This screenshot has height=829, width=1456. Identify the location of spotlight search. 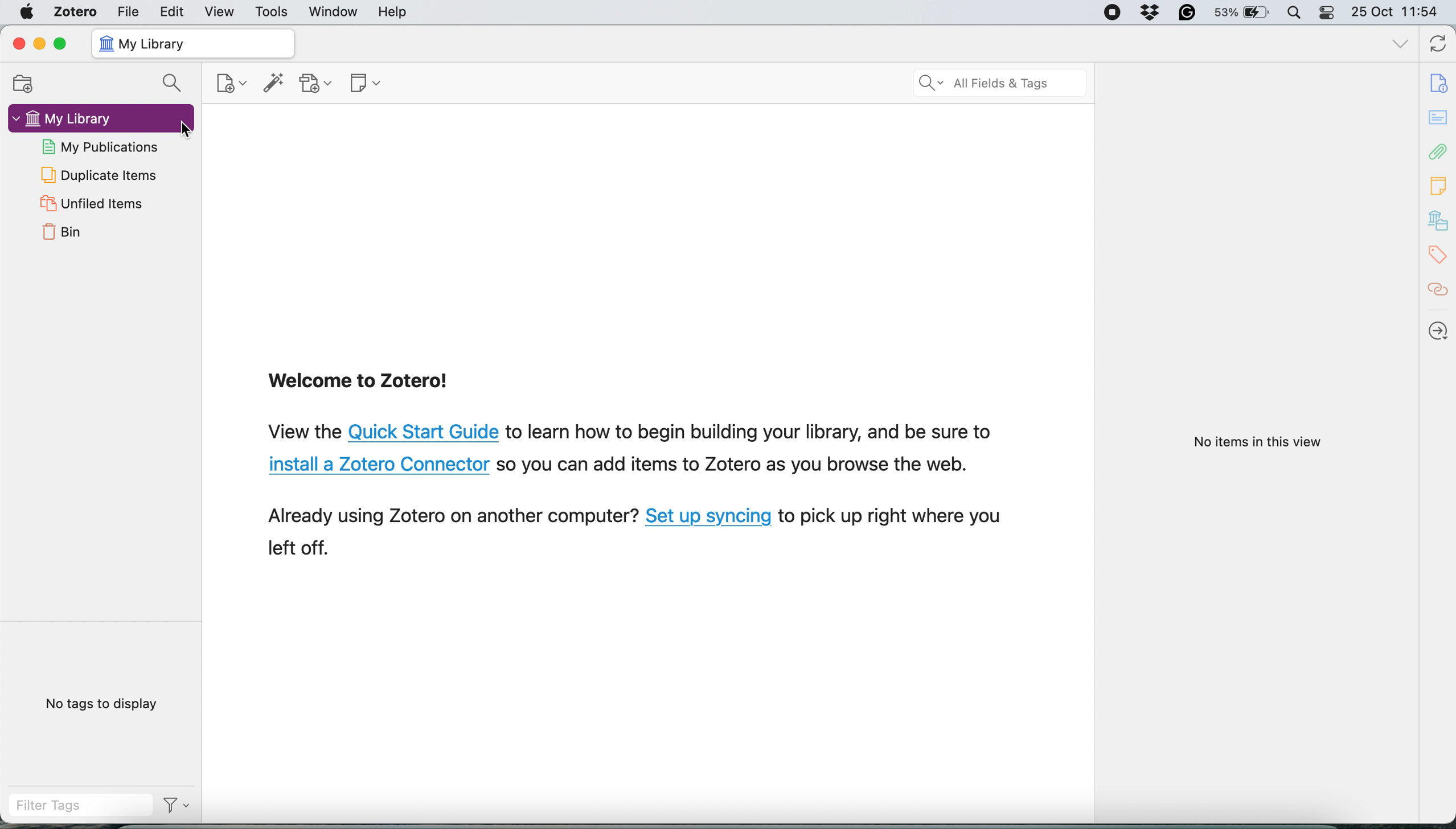
(1297, 11).